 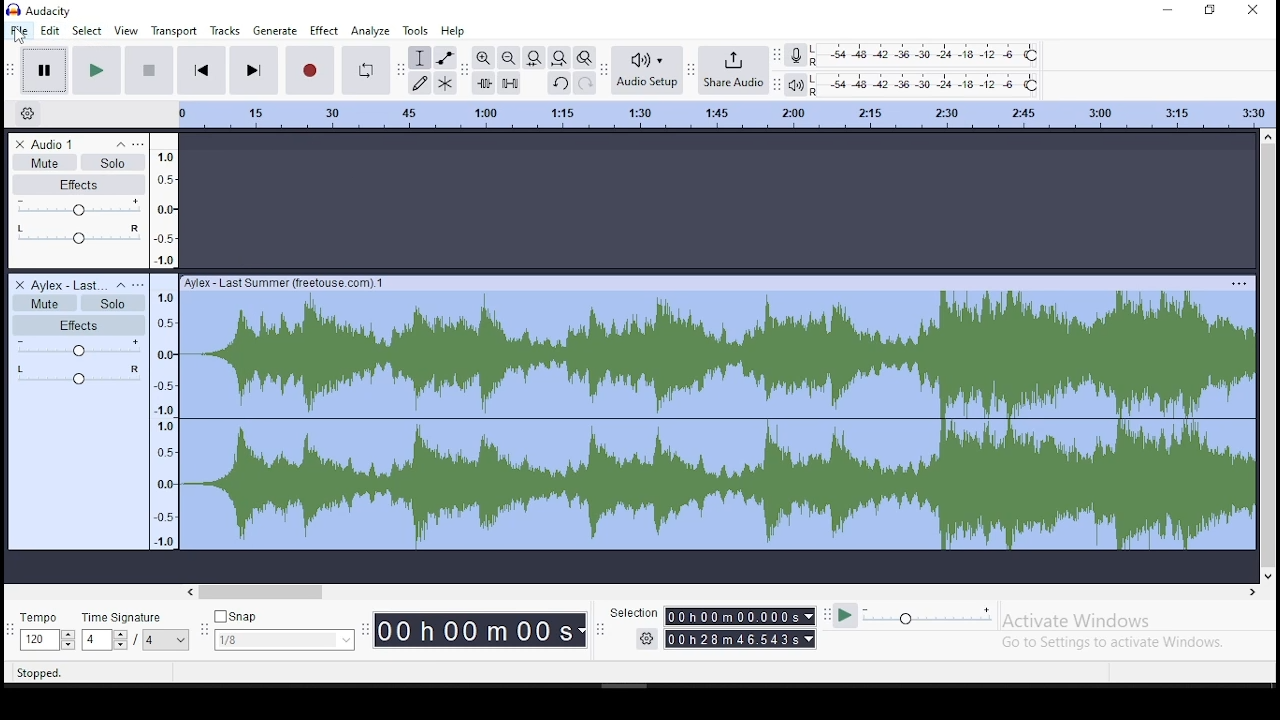 I want to click on selection tool, so click(x=420, y=58).